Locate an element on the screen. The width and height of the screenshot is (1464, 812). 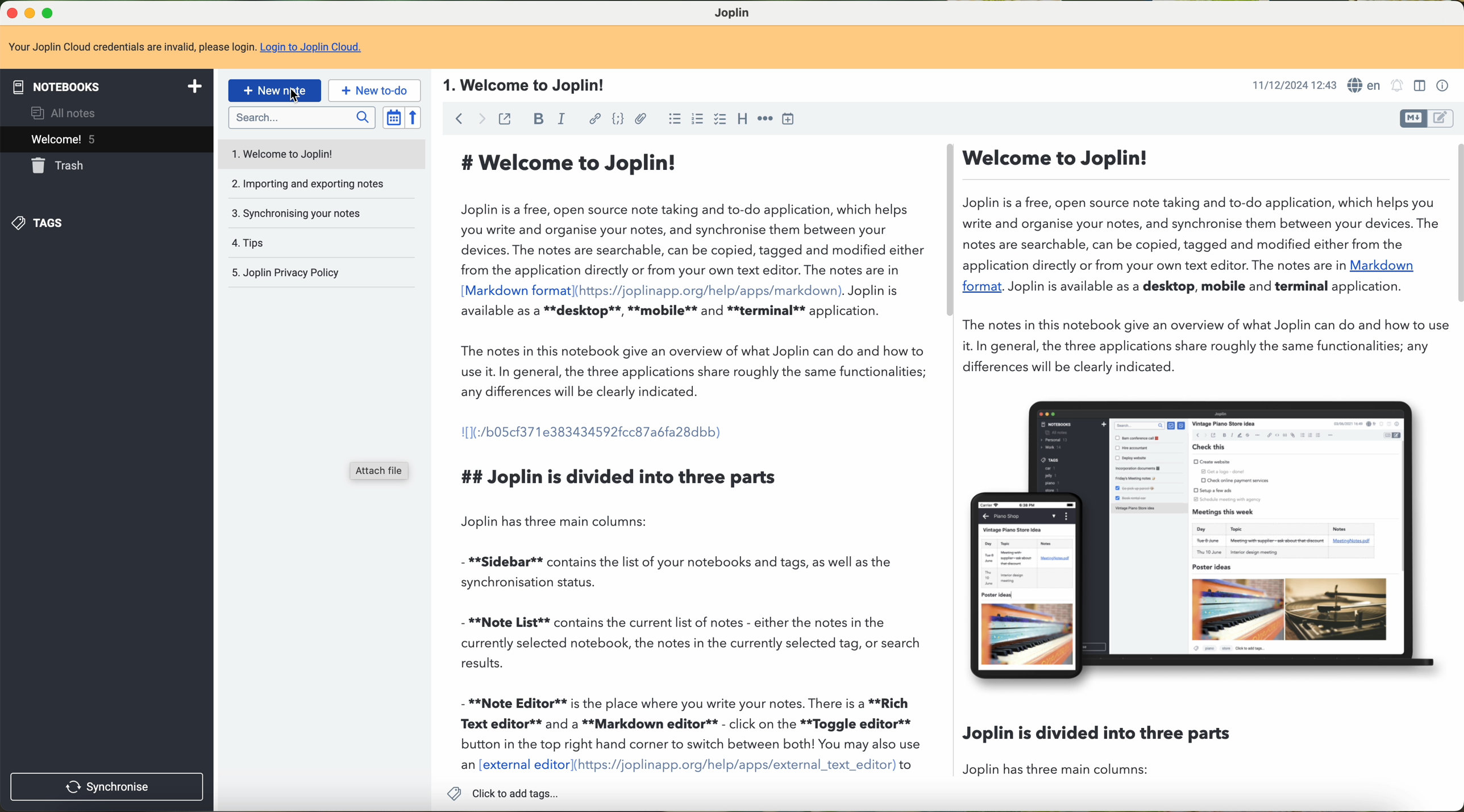
trash is located at coordinates (56, 166).